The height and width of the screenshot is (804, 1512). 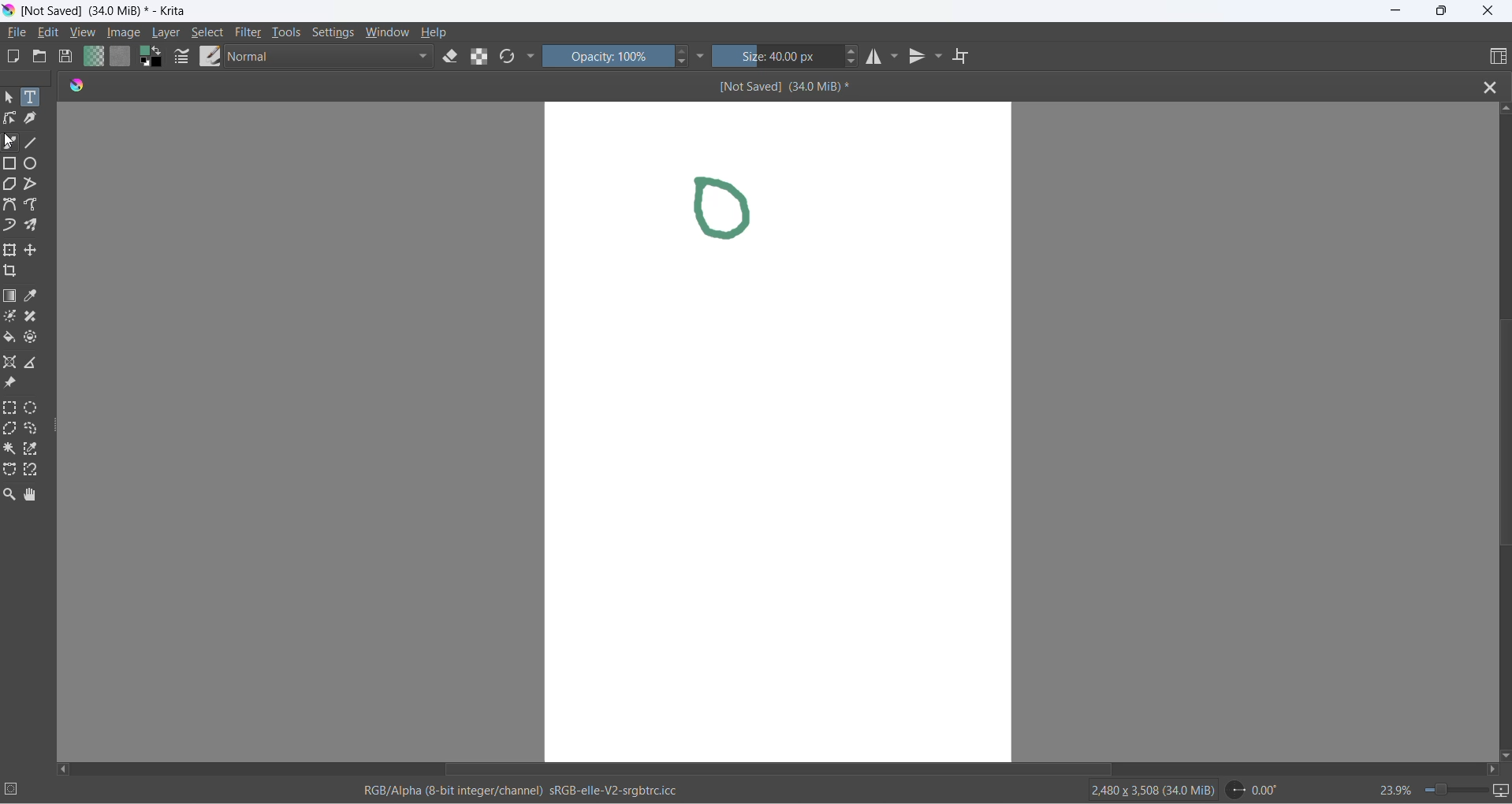 I want to click on rectangular selection tool, so click(x=10, y=410).